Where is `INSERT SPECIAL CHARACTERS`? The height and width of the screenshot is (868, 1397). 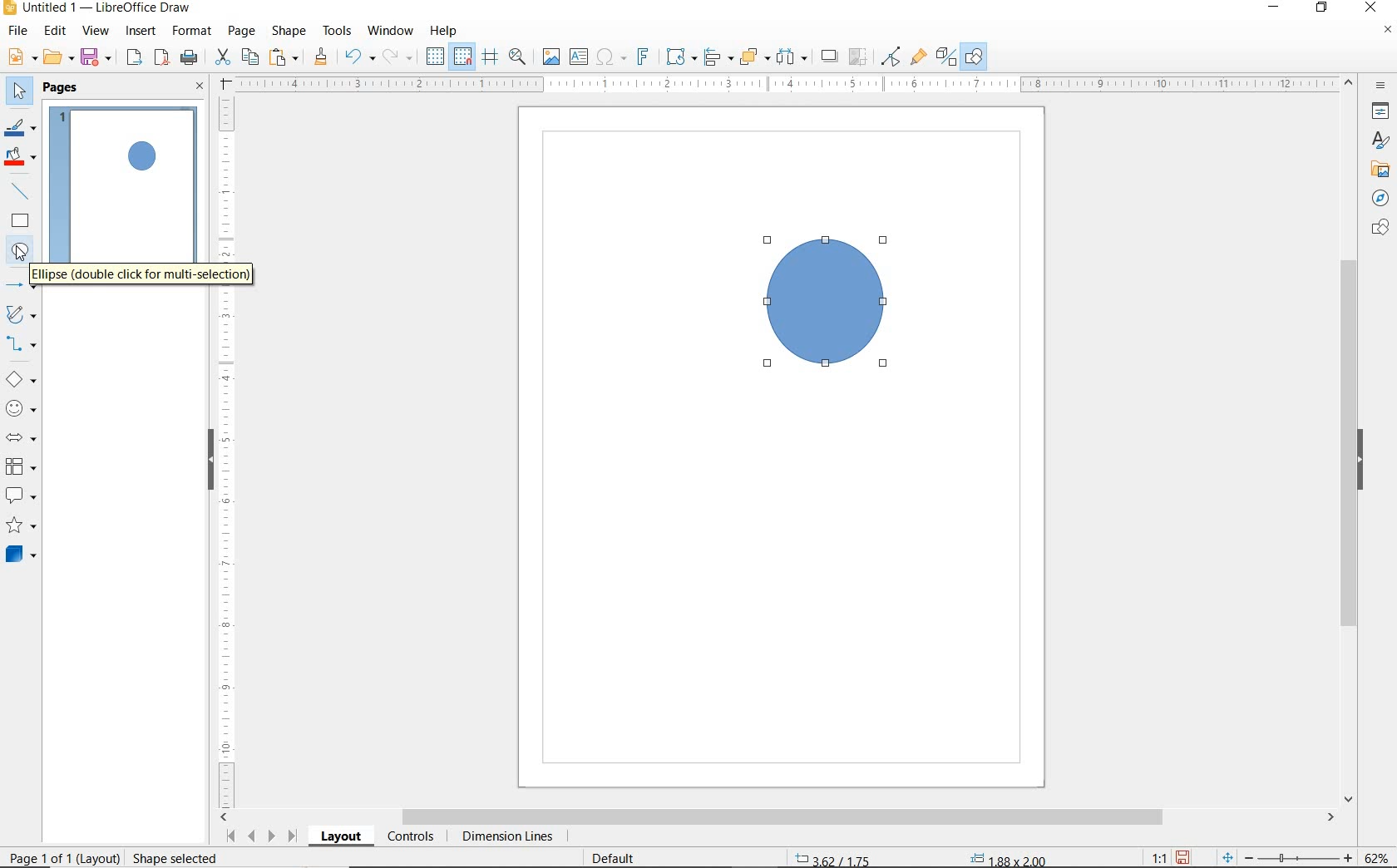
INSERT SPECIAL CHARACTERS is located at coordinates (609, 58).